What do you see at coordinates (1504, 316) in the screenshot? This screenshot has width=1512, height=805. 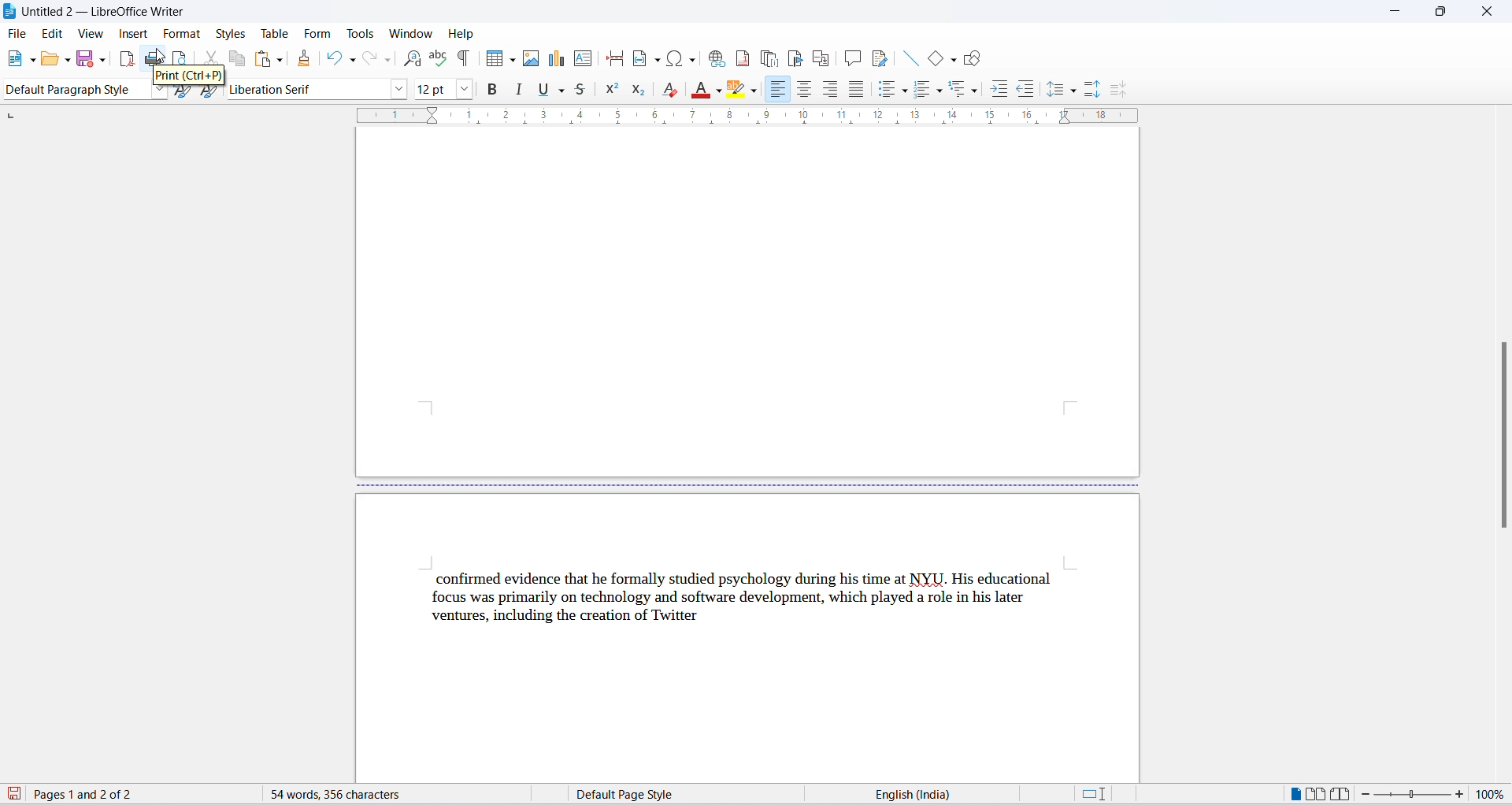 I see `vertical scroll bar` at bounding box center [1504, 316].